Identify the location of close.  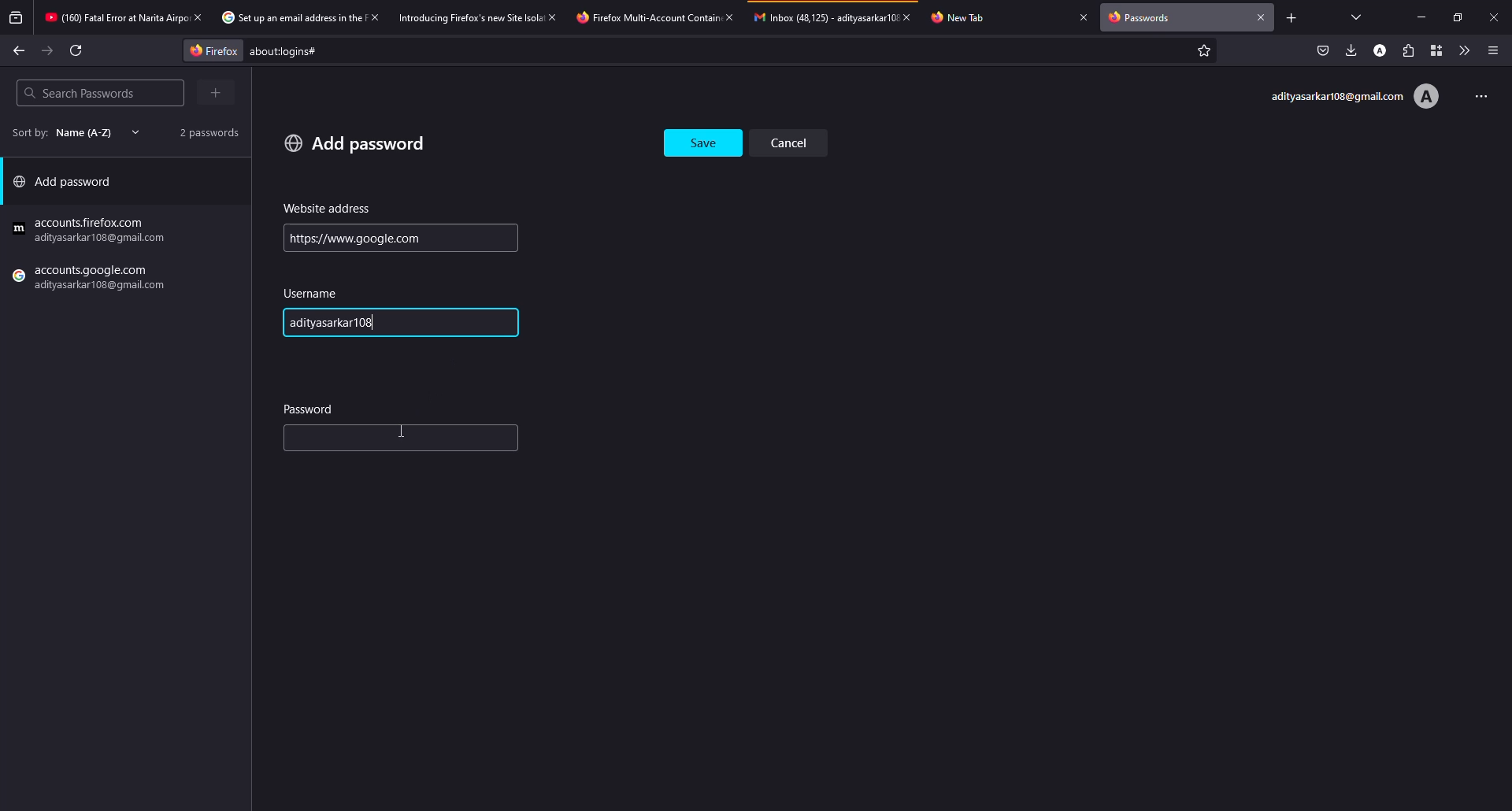
(1494, 17).